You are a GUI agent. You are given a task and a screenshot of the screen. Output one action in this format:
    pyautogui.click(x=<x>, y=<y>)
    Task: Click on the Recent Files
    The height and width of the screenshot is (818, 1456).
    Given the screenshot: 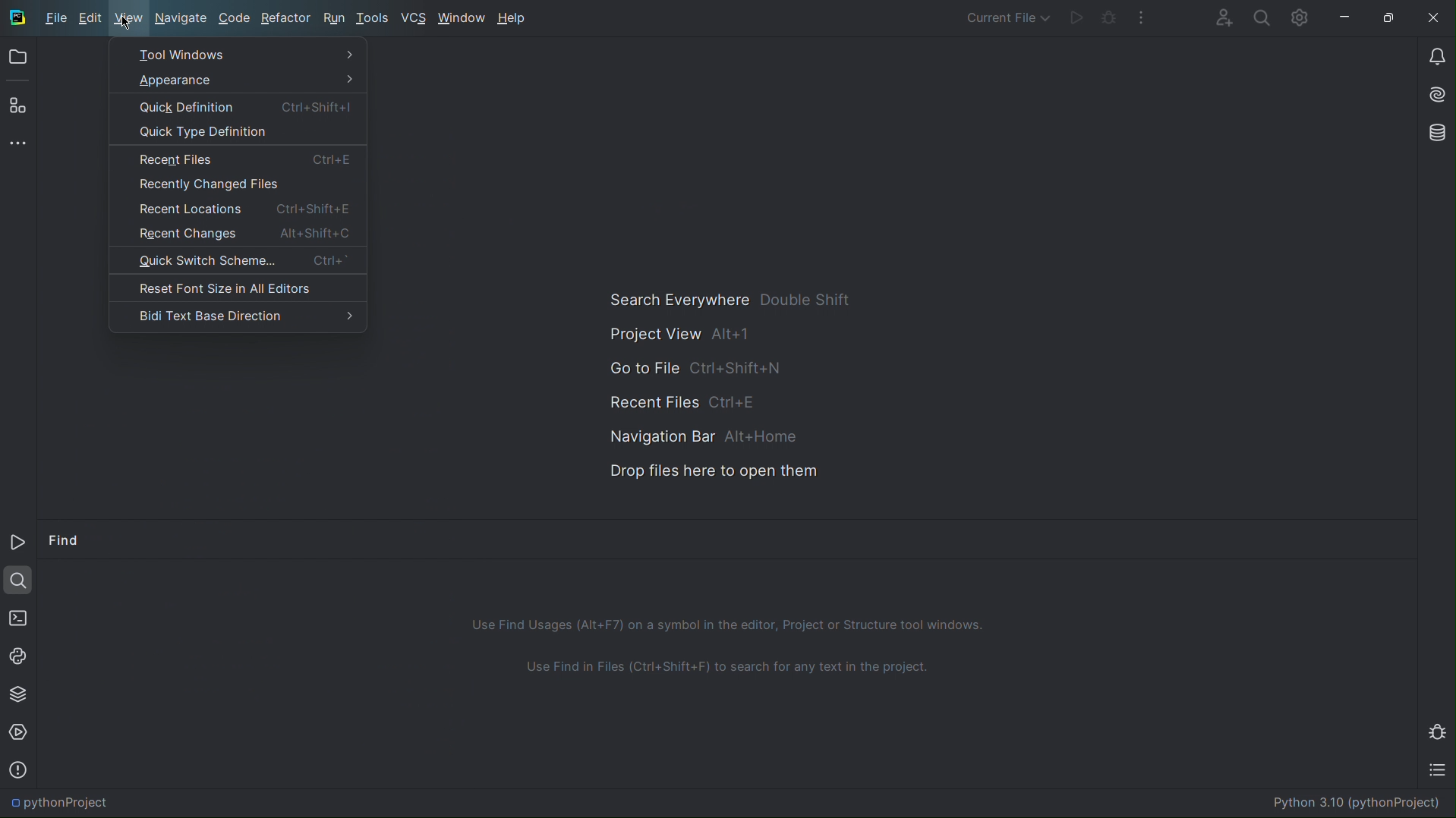 What is the action you would take?
    pyautogui.click(x=235, y=159)
    